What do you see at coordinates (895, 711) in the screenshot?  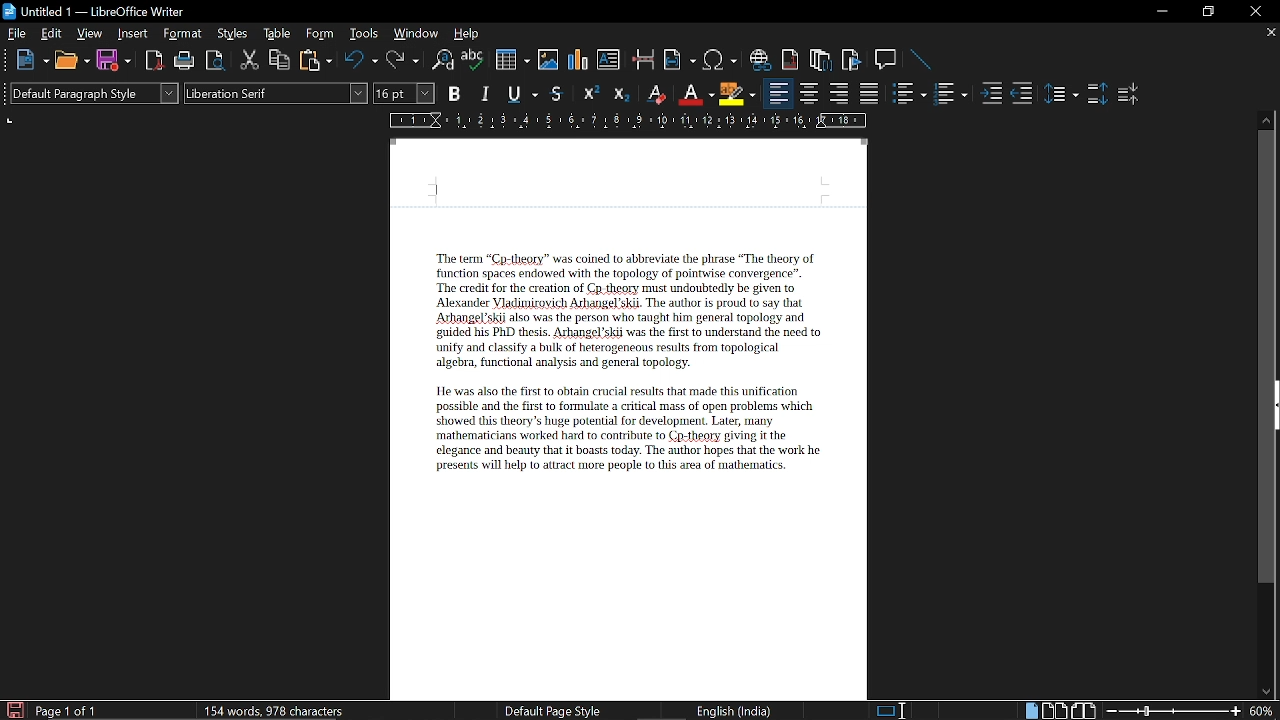 I see `Standard seleciton` at bounding box center [895, 711].